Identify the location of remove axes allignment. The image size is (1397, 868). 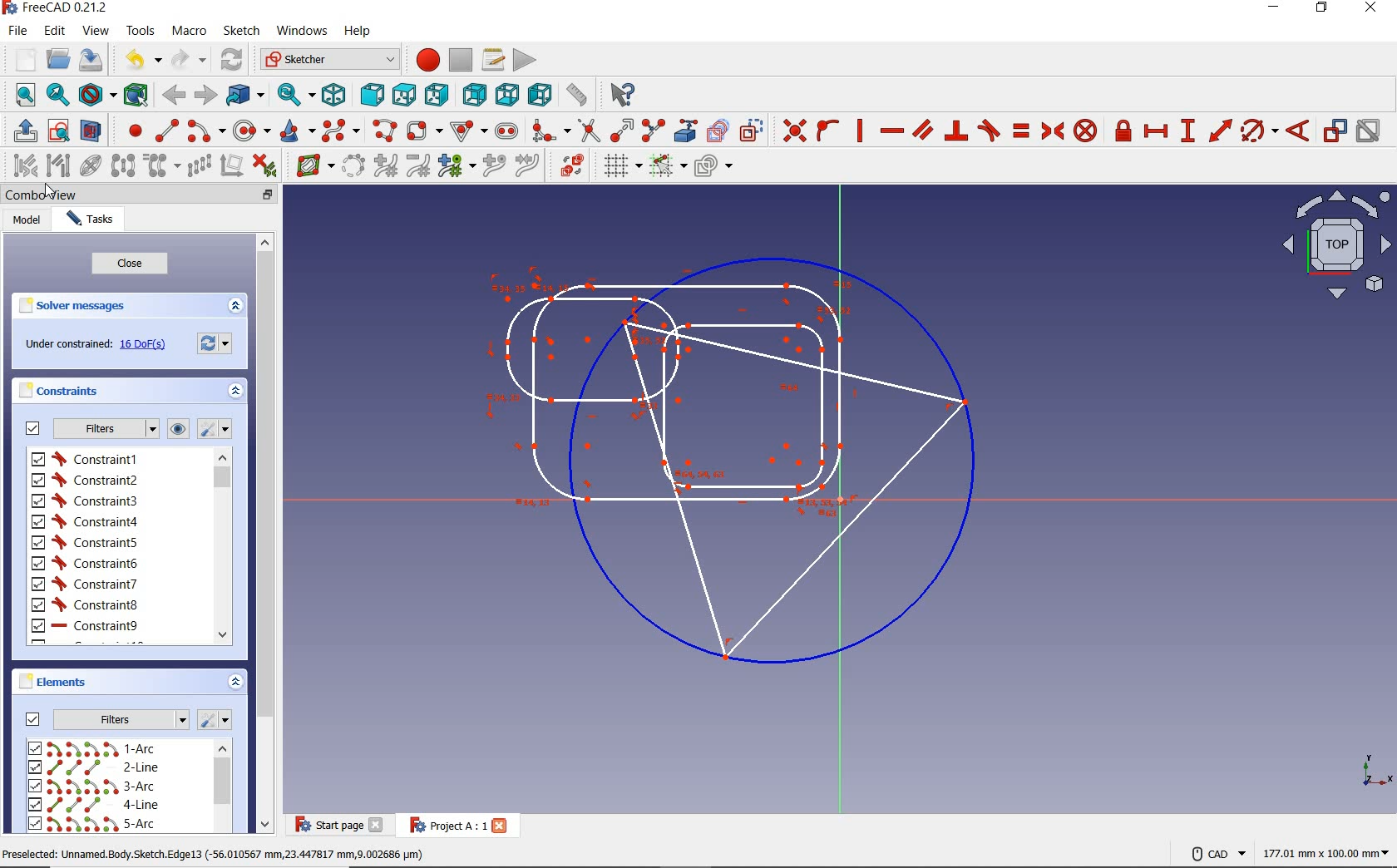
(235, 167).